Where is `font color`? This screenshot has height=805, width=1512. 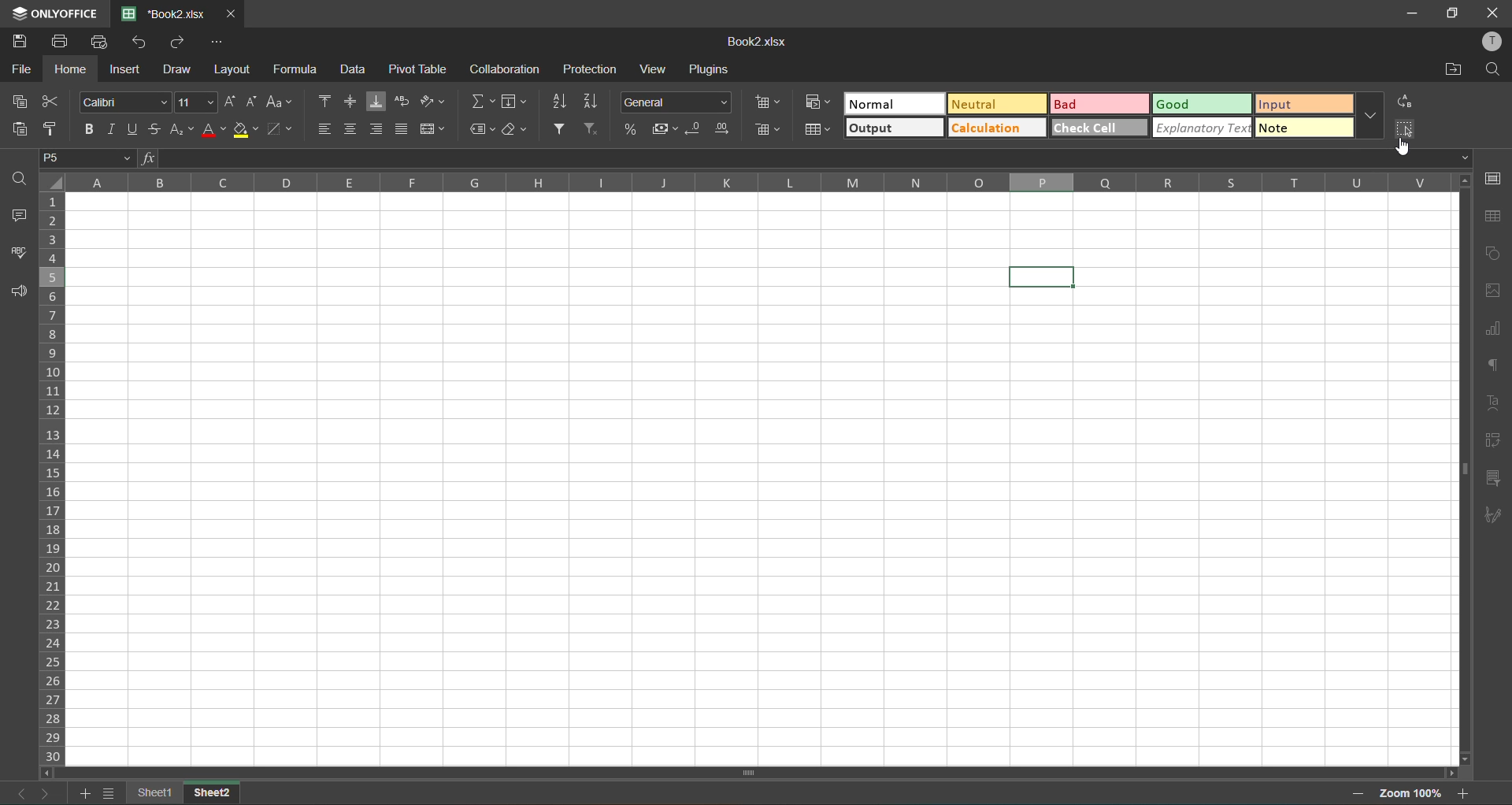
font color is located at coordinates (213, 133).